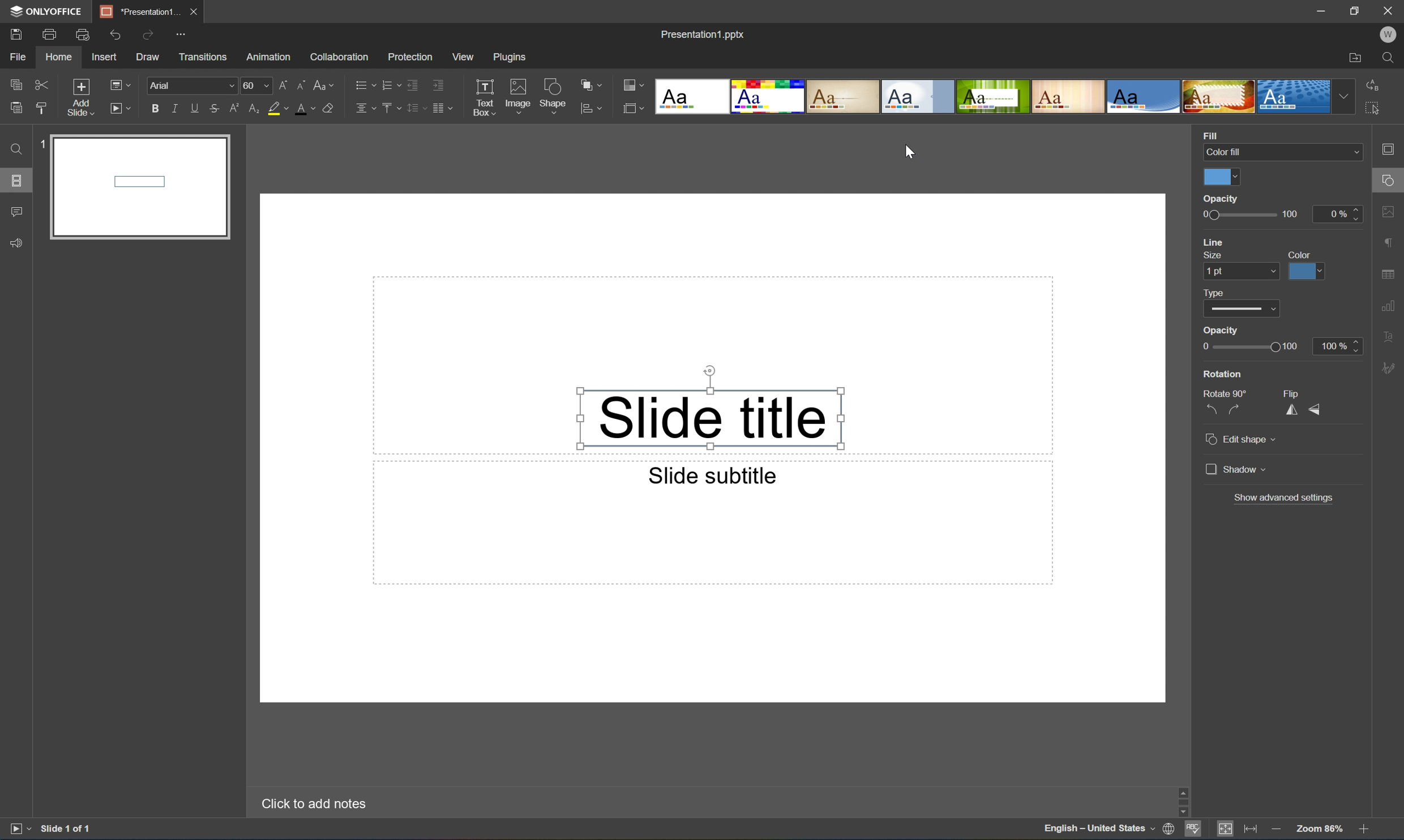 This screenshot has height=840, width=1404. I want to click on Collaboration, so click(340, 57).